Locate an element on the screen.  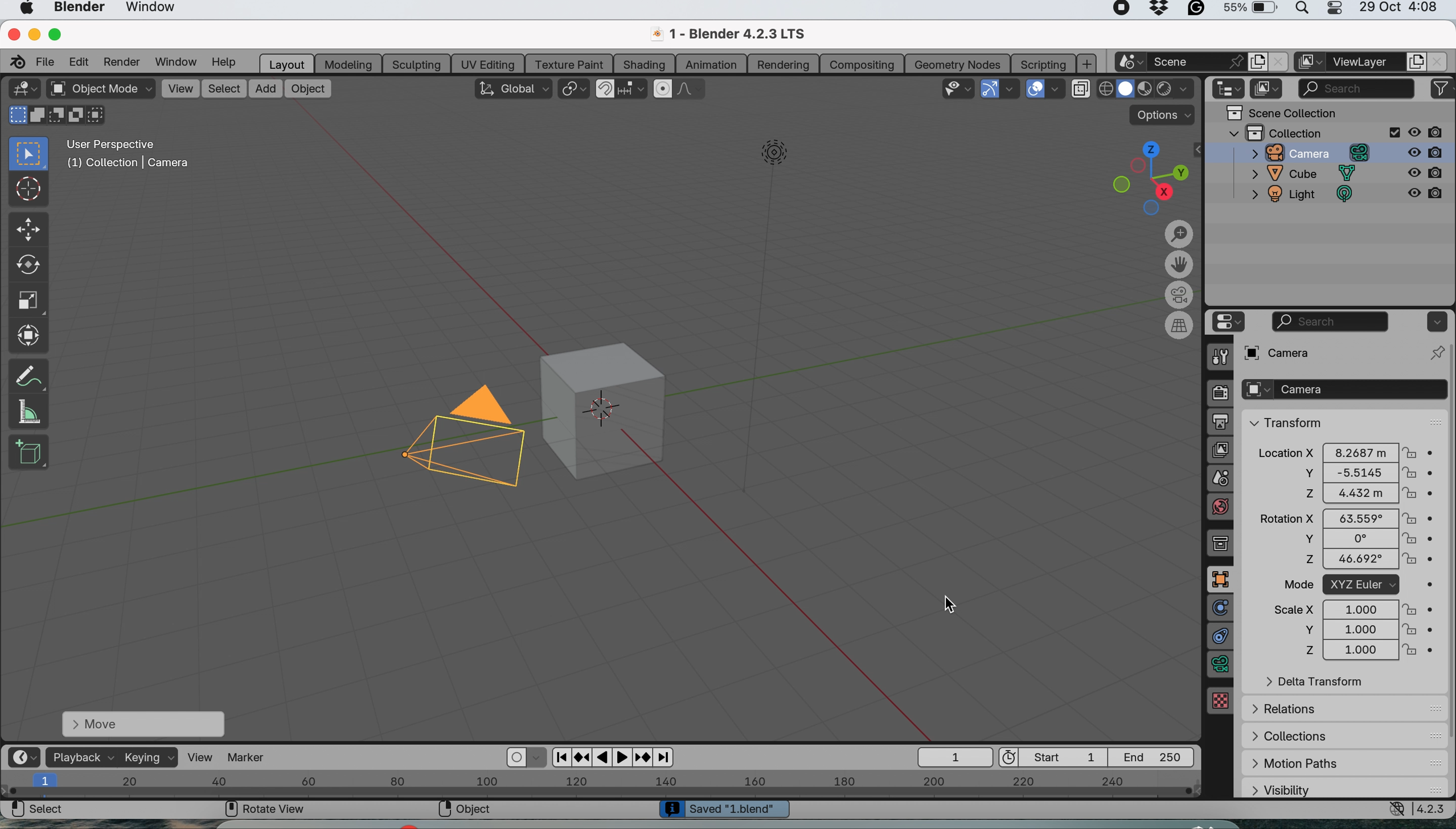
disable in renders is located at coordinates (1428, 132).